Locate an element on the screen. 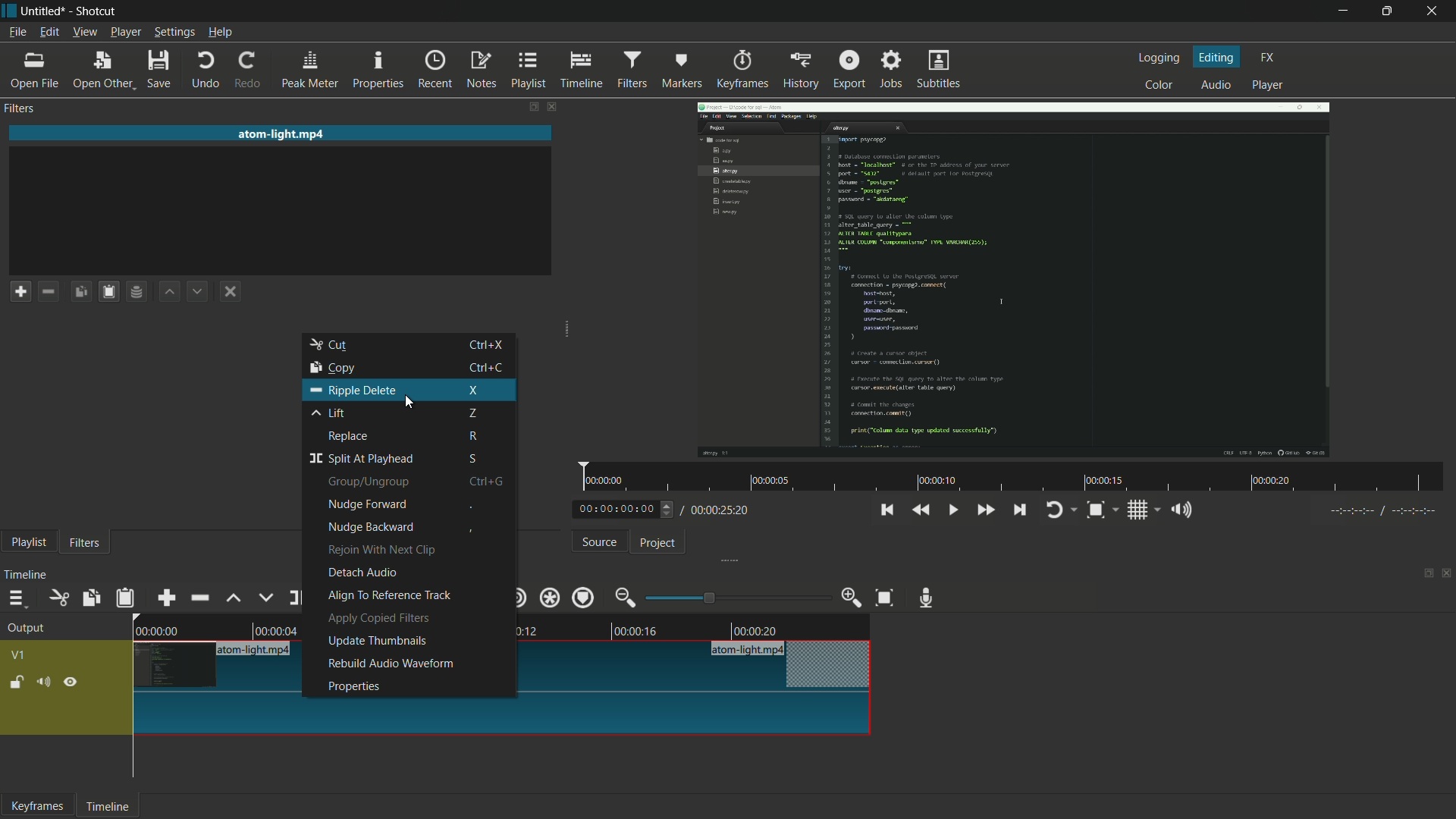 Image resolution: width=1456 pixels, height=819 pixels. settings menu is located at coordinates (174, 33).